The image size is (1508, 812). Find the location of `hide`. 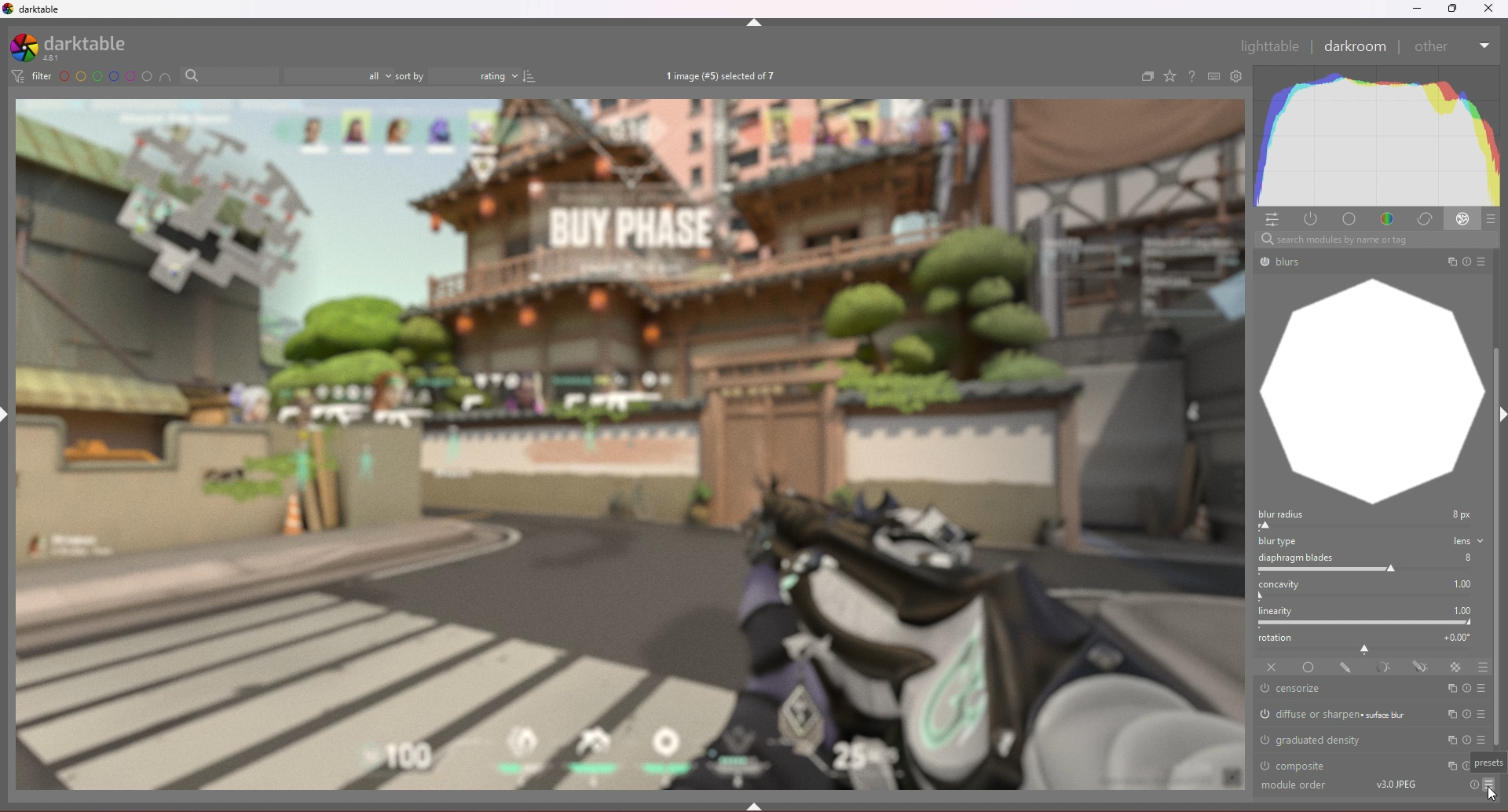

hide is located at coordinates (755, 23).